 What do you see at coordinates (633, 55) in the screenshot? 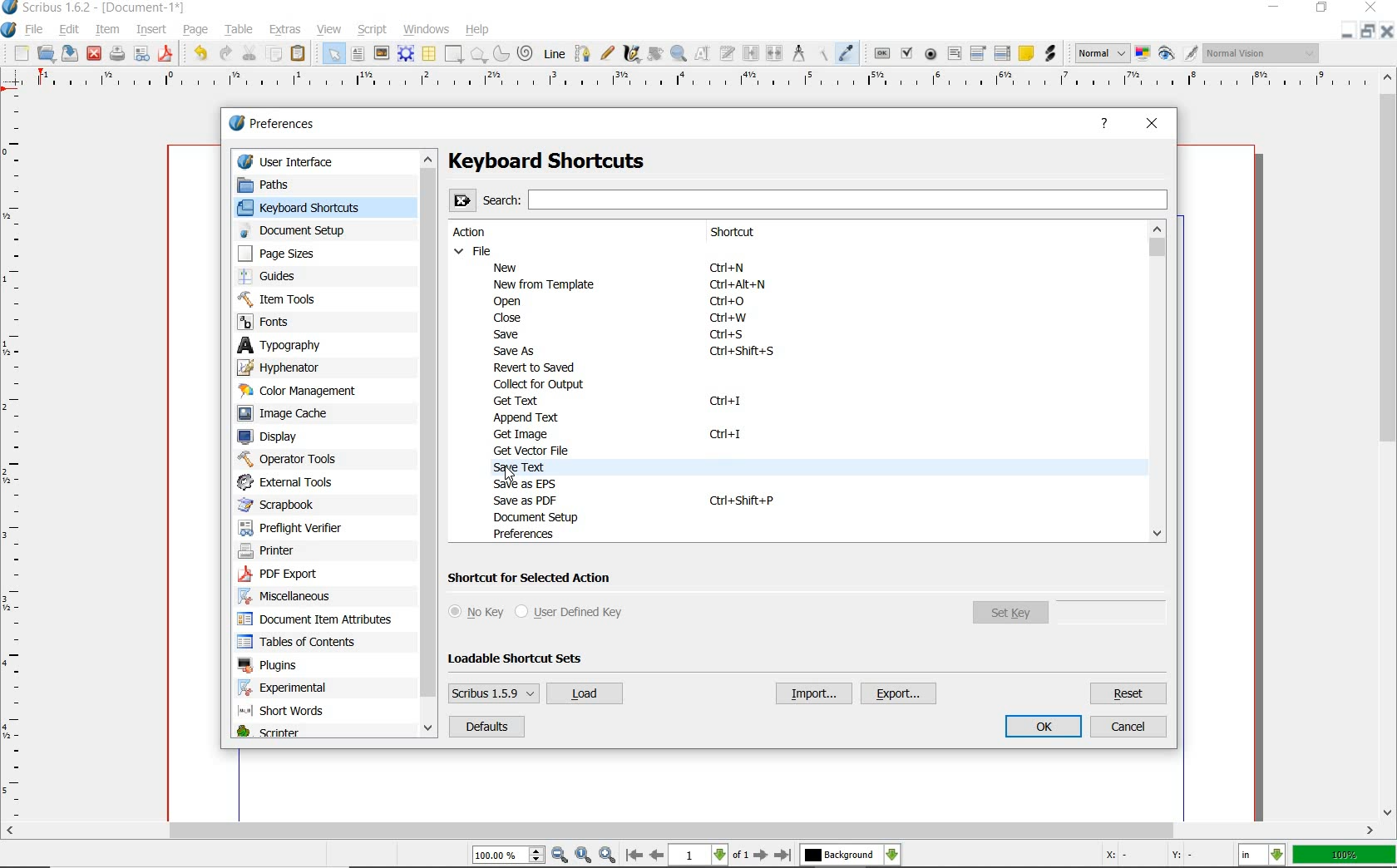
I see `calligraphic line` at bounding box center [633, 55].